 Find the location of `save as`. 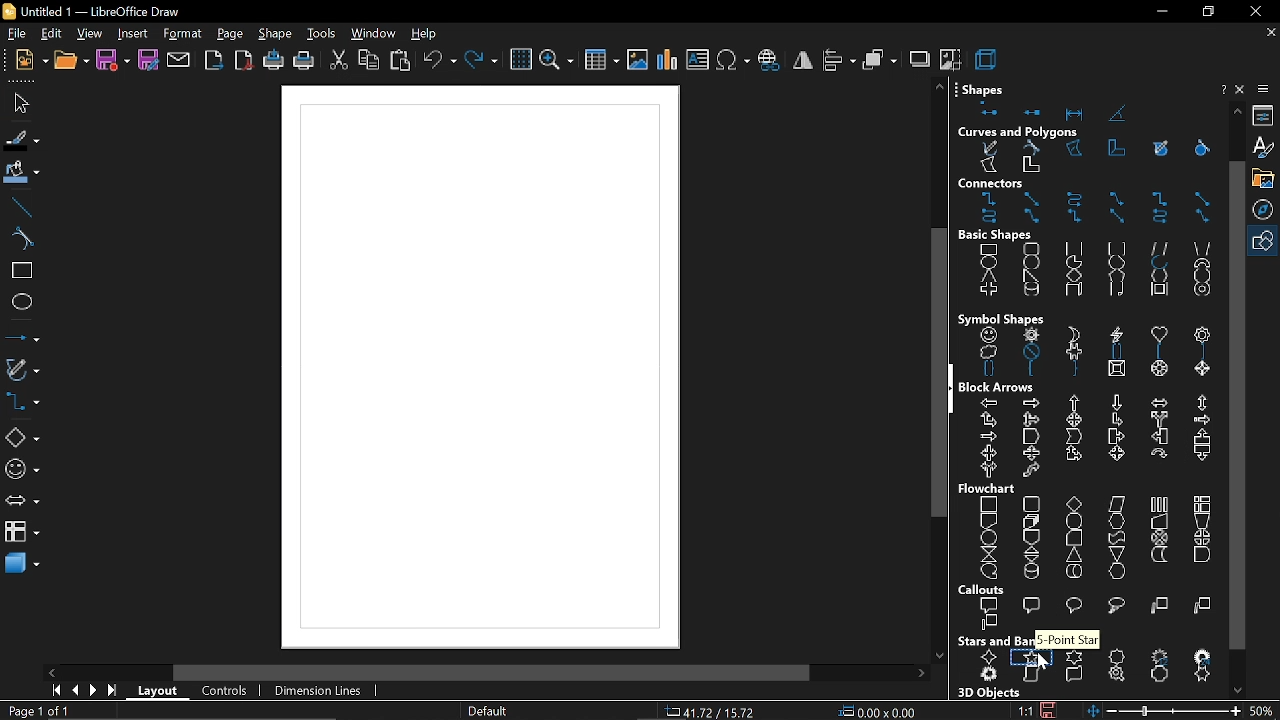

save as is located at coordinates (148, 61).